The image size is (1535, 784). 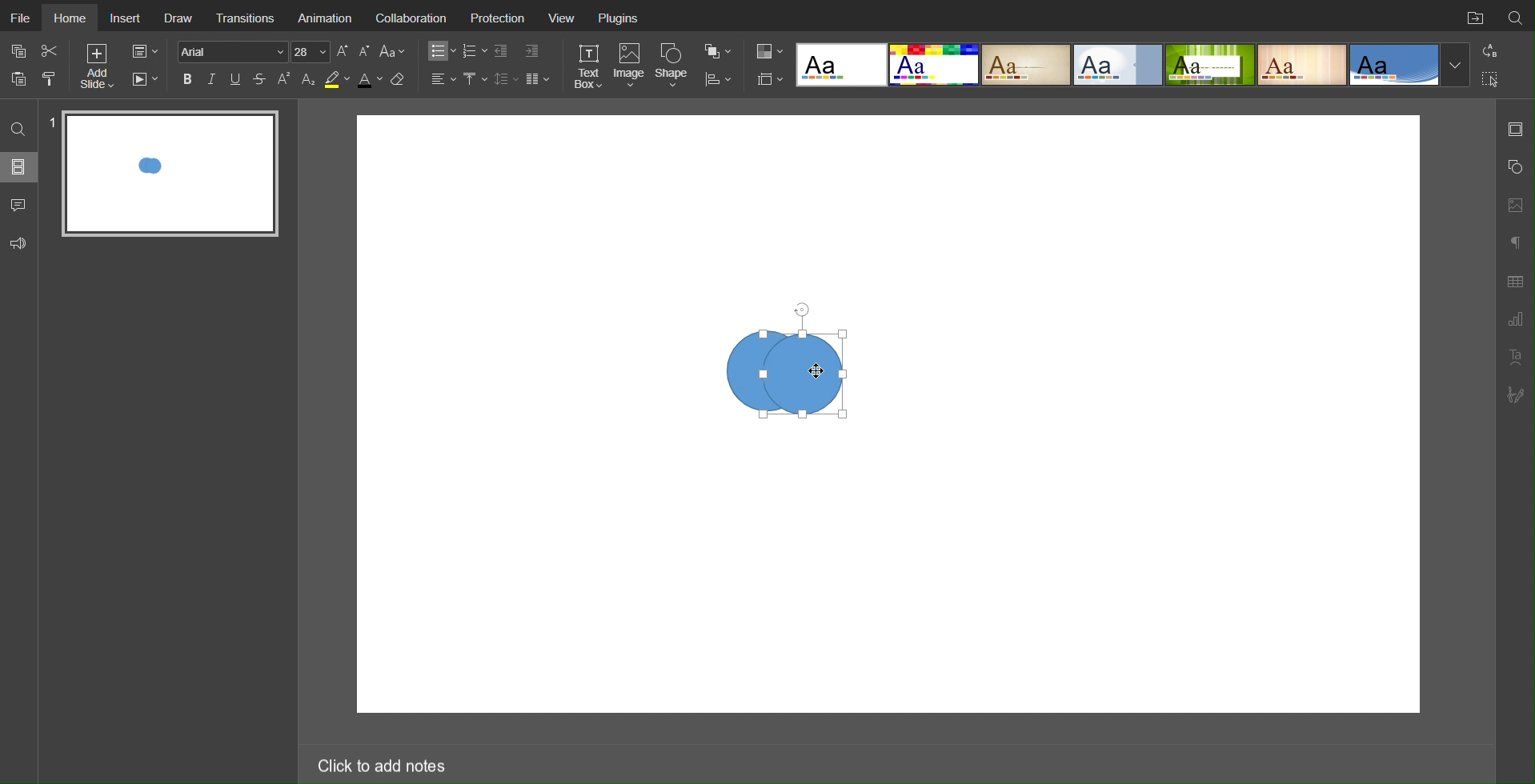 What do you see at coordinates (1514, 167) in the screenshot?
I see `Shape Settings` at bounding box center [1514, 167].